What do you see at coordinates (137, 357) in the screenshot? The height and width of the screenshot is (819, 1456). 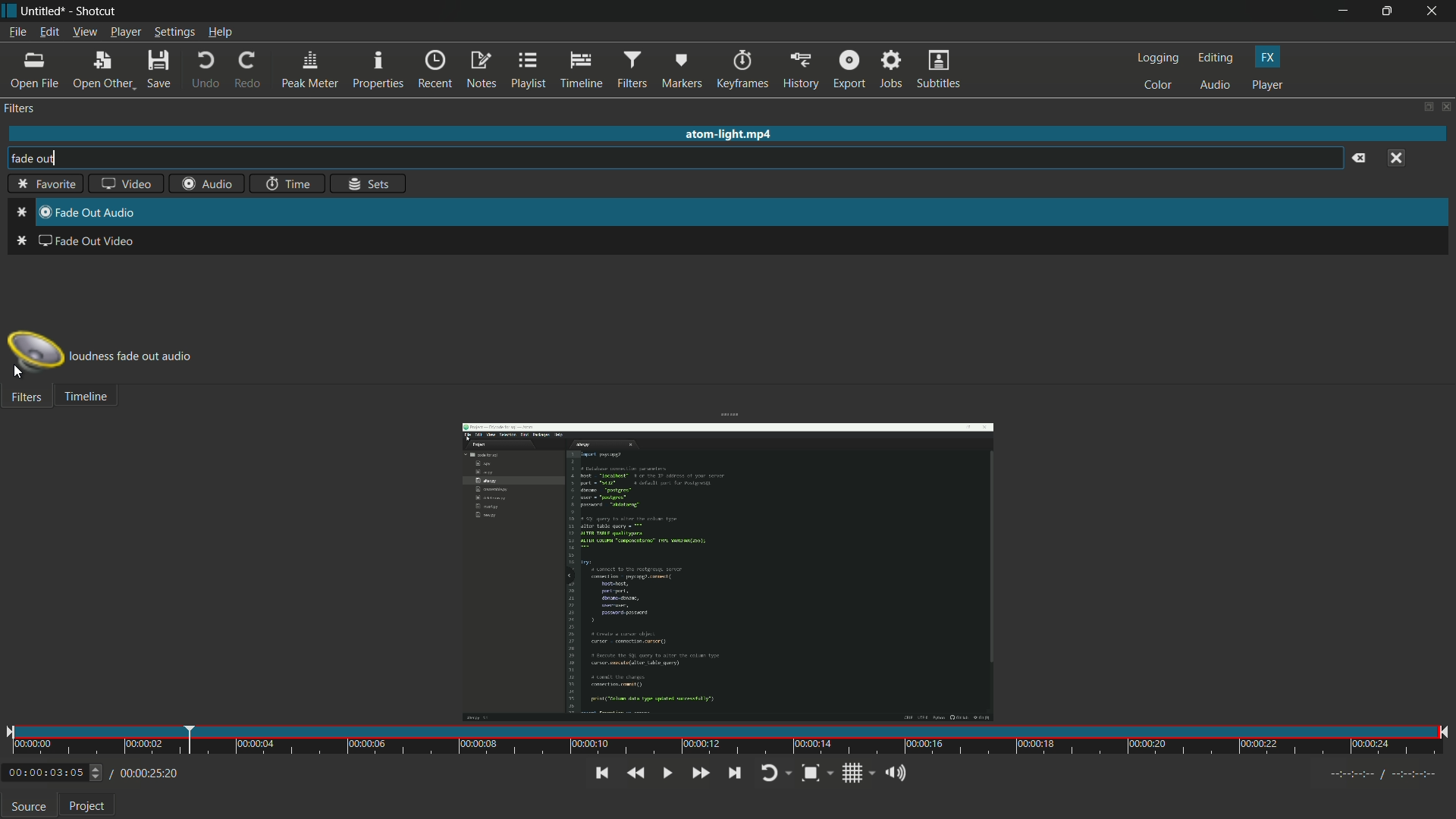 I see `loudness fade out audio` at bounding box center [137, 357].